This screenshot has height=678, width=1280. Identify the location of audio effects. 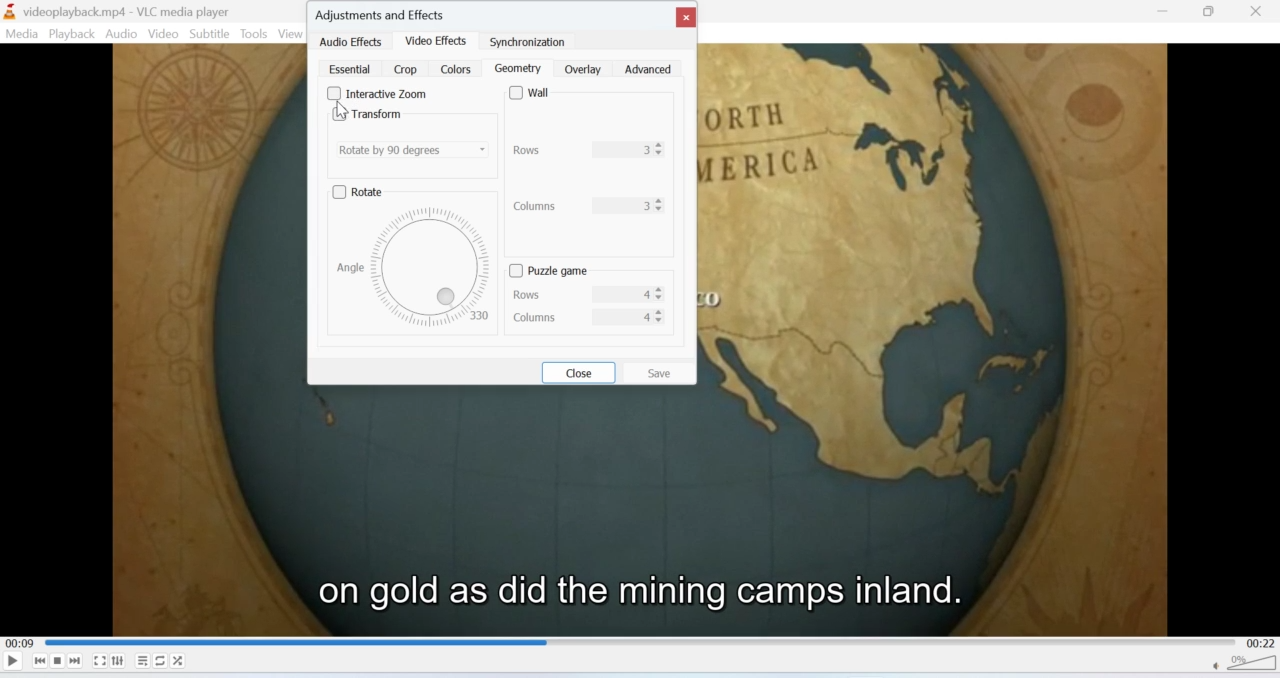
(351, 43).